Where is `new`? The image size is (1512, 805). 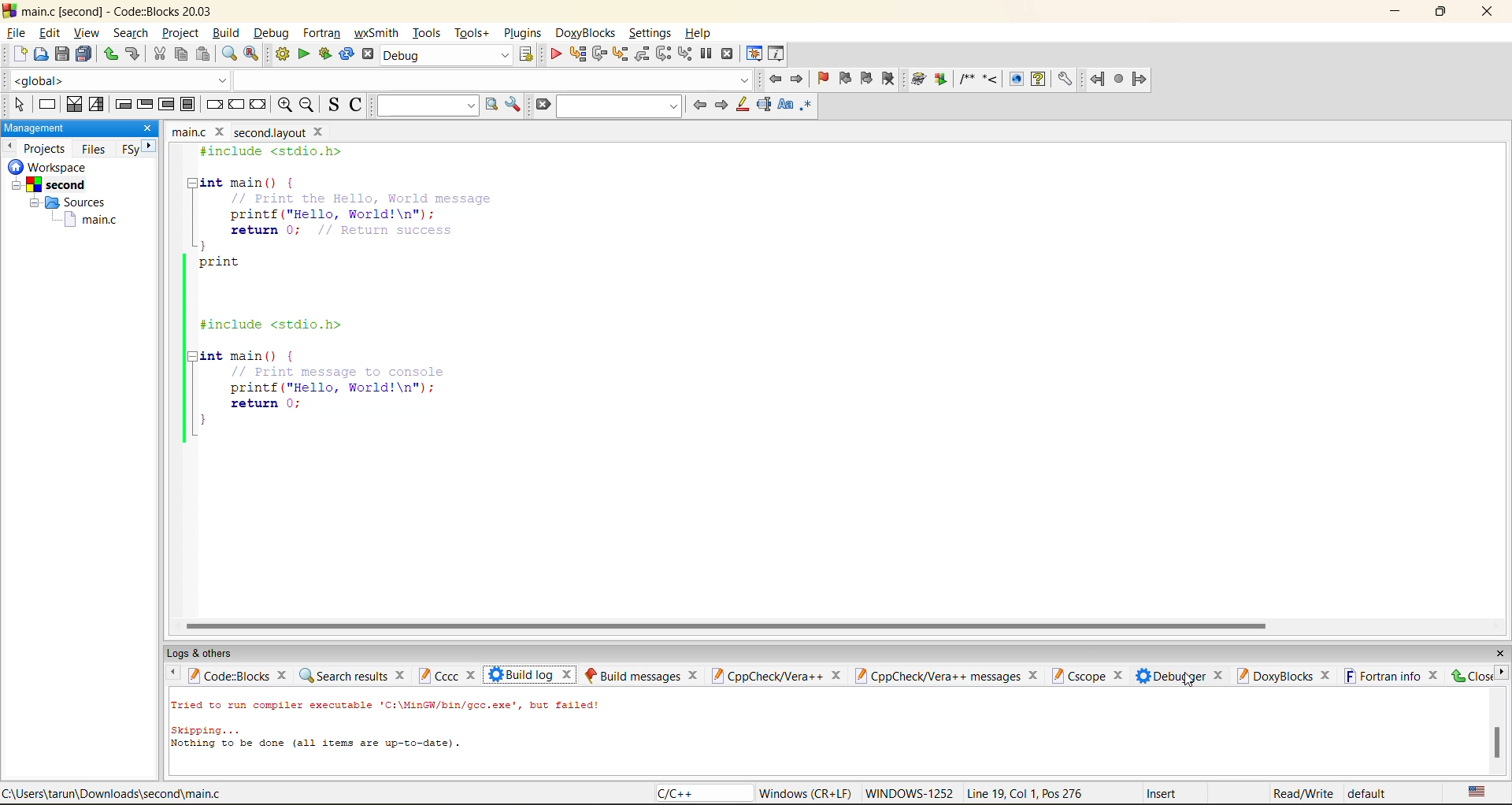
new is located at coordinates (13, 56).